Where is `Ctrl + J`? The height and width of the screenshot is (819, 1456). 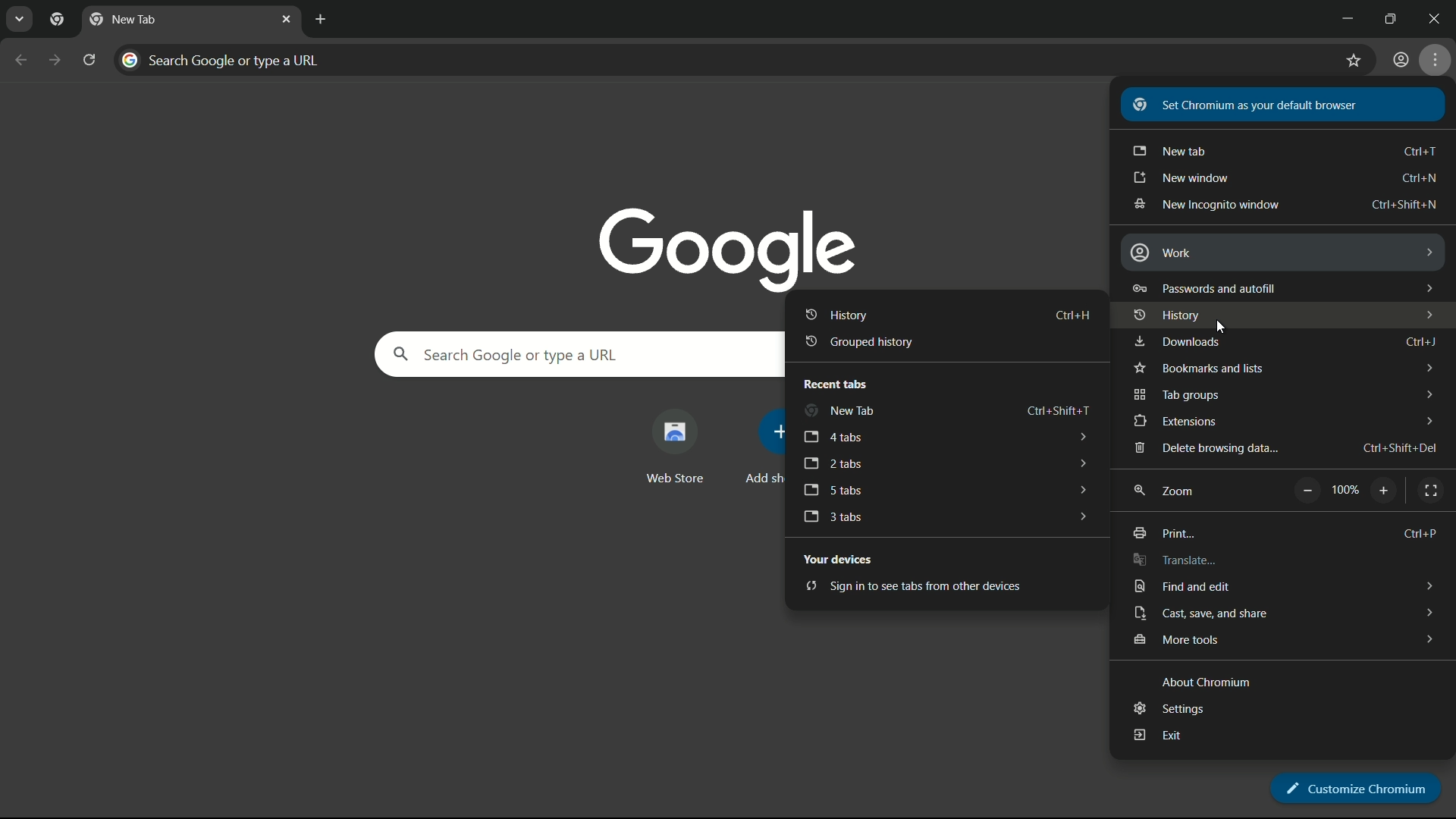 Ctrl + J is located at coordinates (1423, 342).